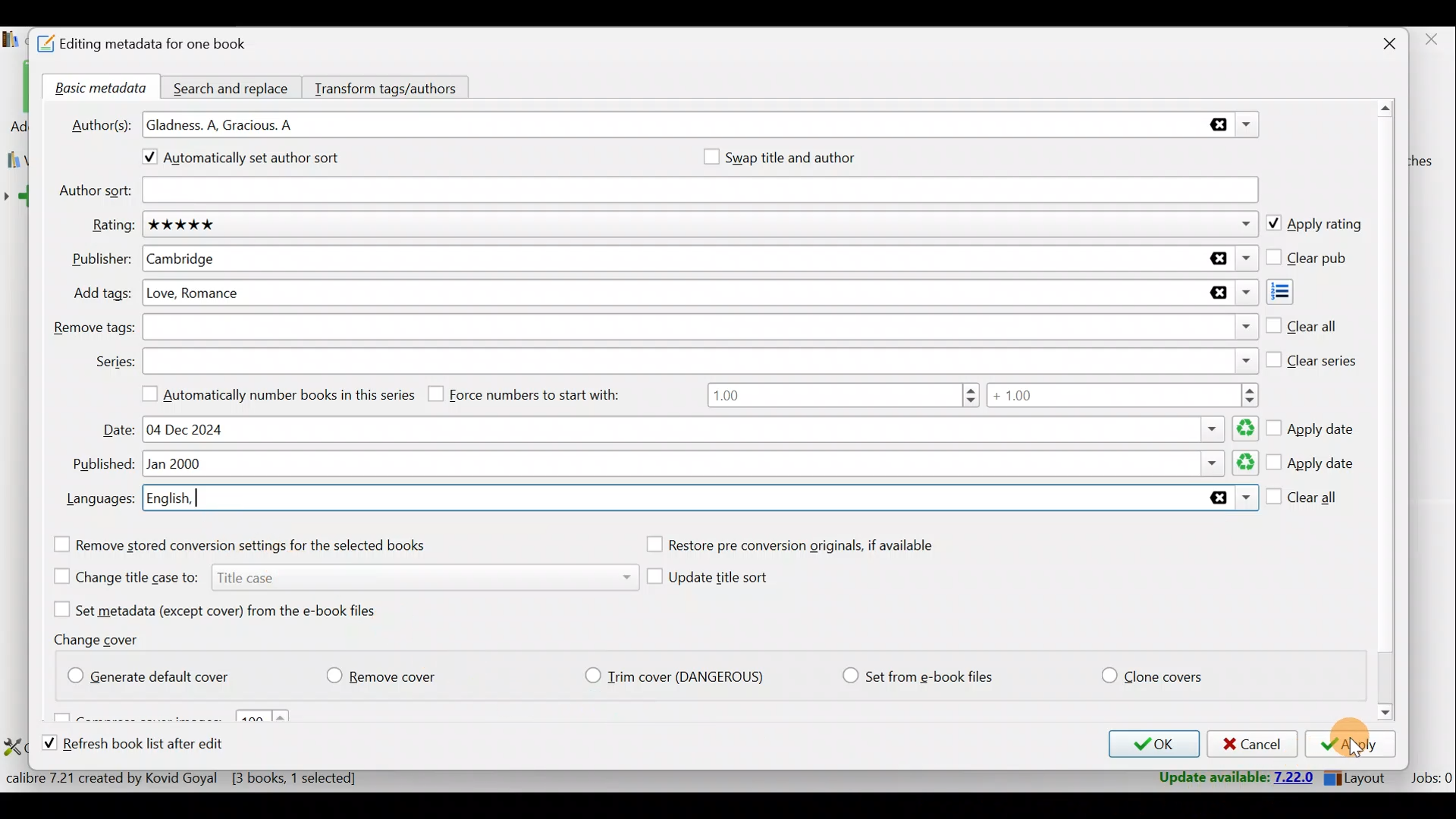 This screenshot has width=1456, height=819. I want to click on Update, so click(1234, 778).